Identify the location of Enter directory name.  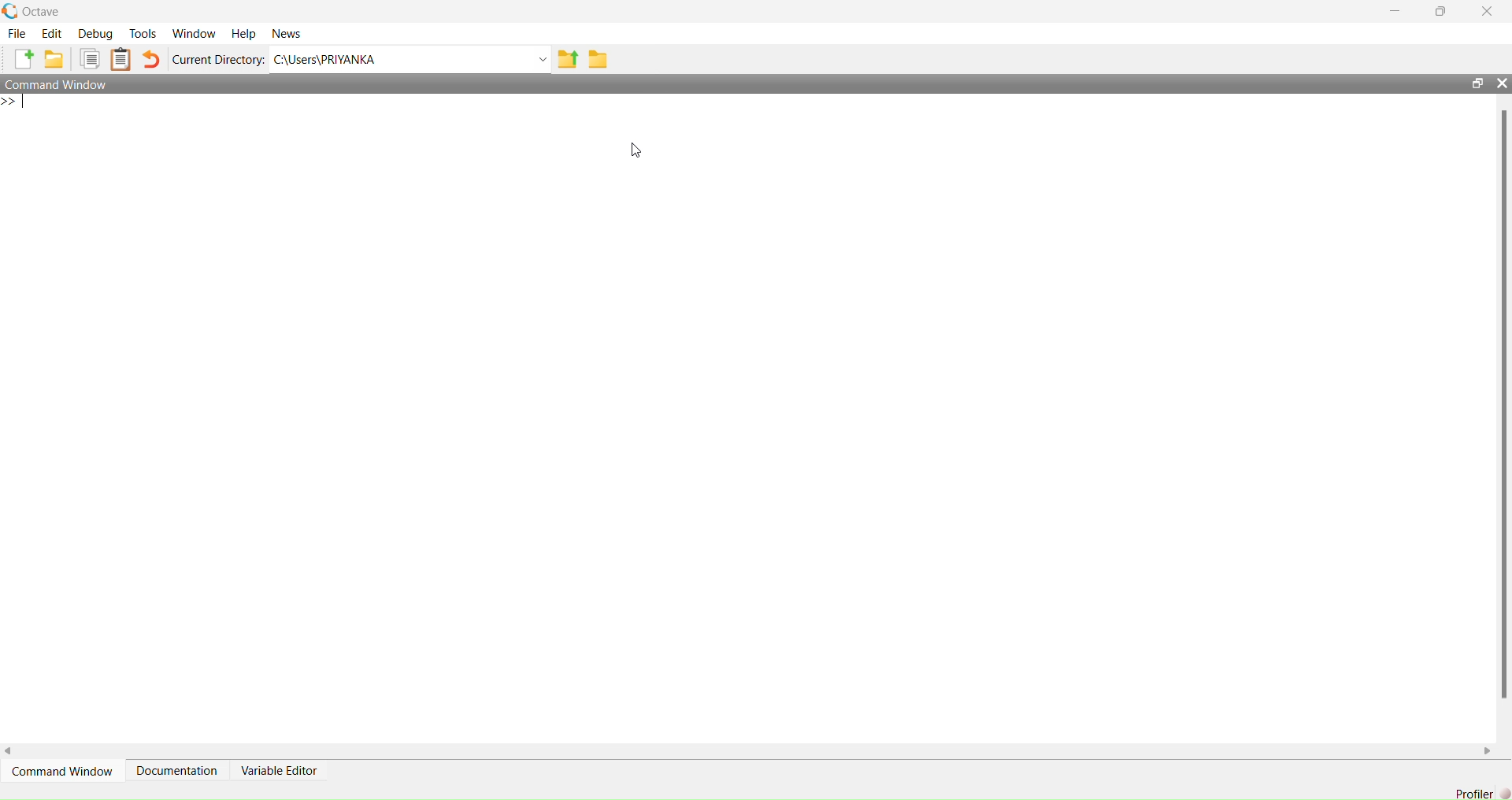
(543, 60).